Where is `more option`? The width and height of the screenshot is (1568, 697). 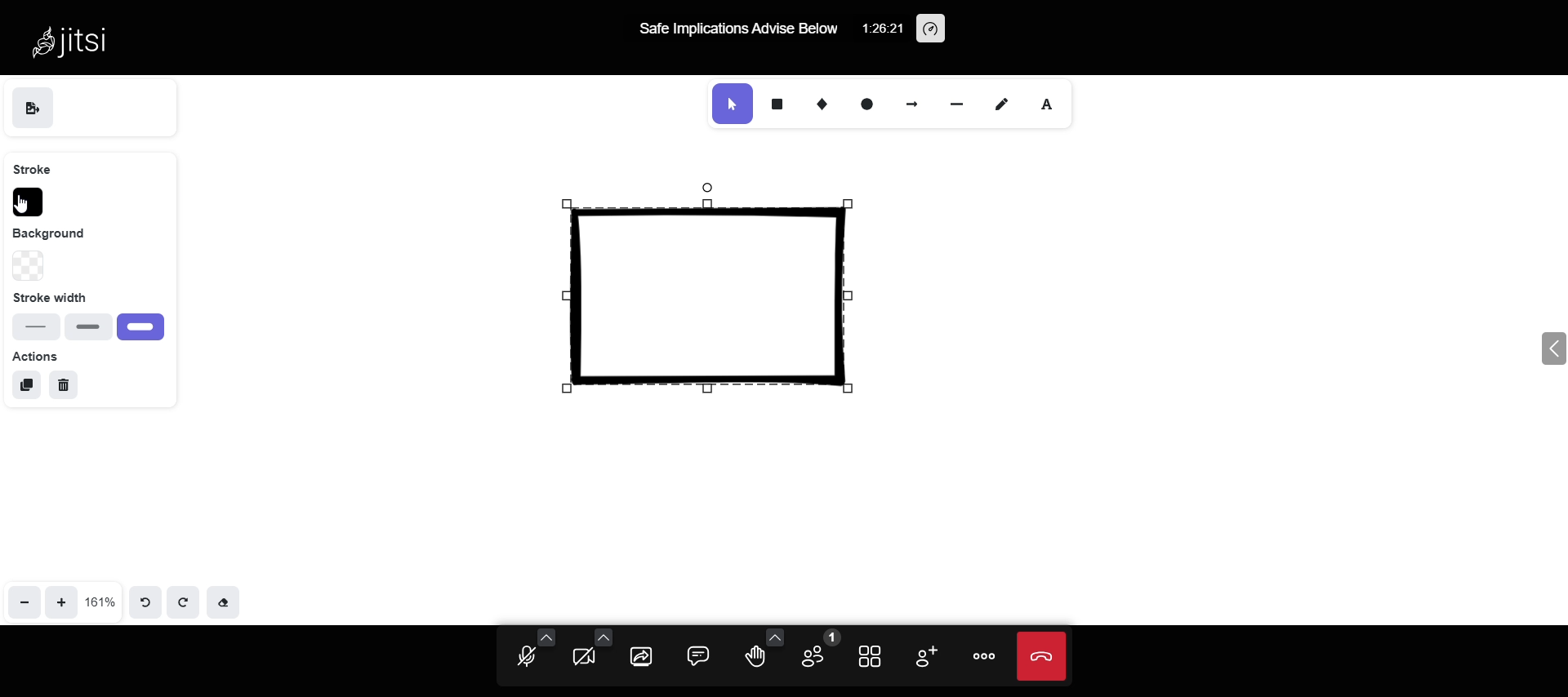
more option is located at coordinates (983, 653).